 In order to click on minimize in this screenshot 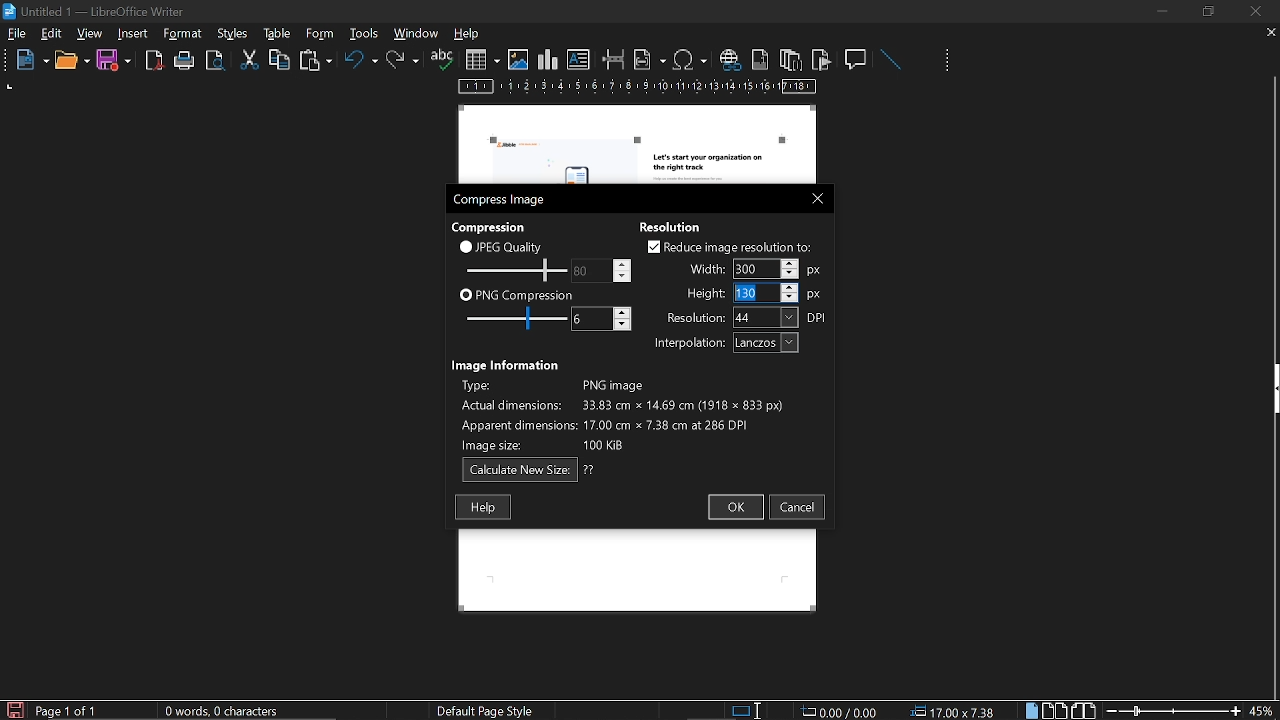, I will do `click(1162, 11)`.